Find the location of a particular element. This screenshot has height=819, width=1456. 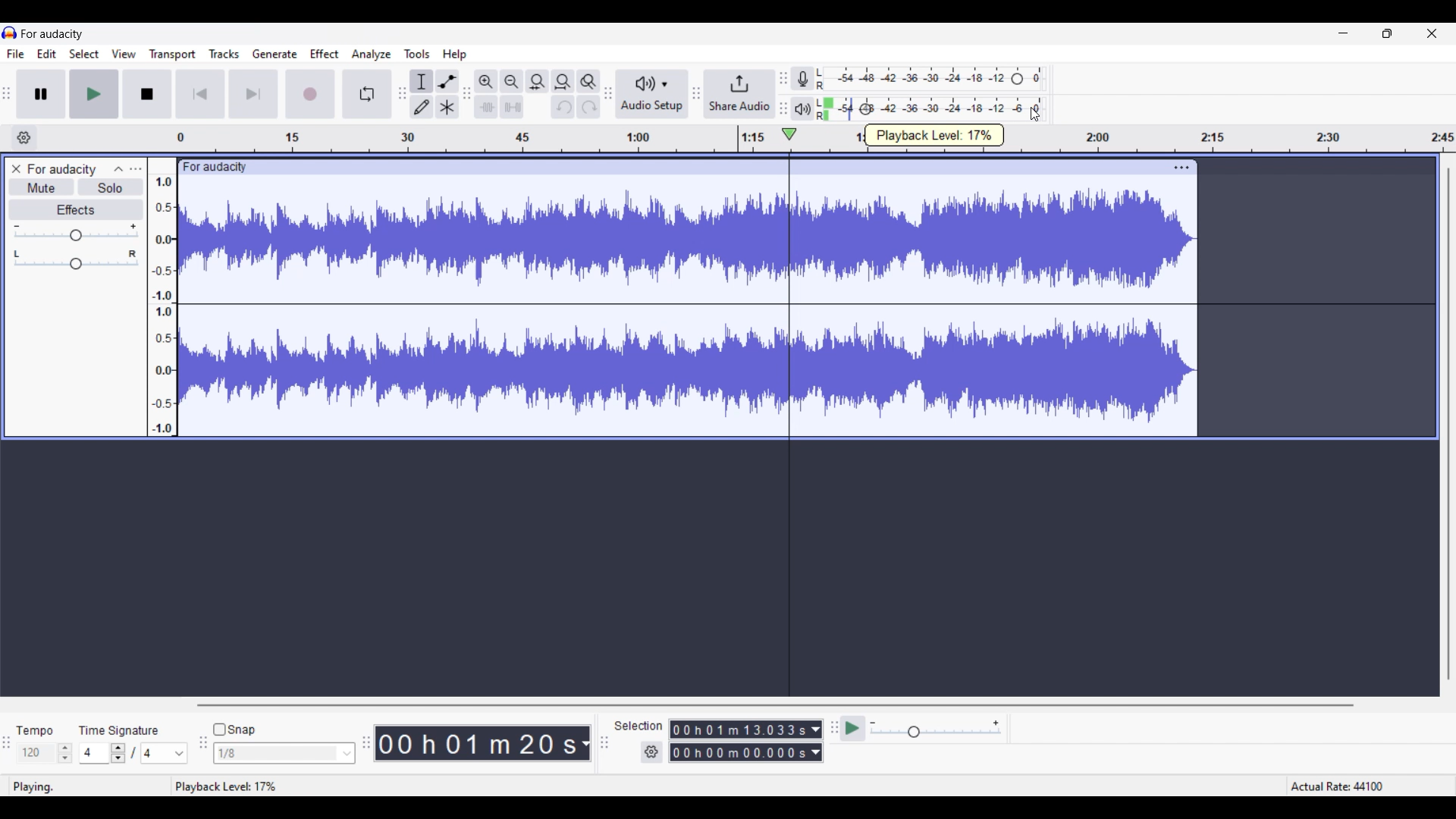

Current track is located at coordinates (476, 306).